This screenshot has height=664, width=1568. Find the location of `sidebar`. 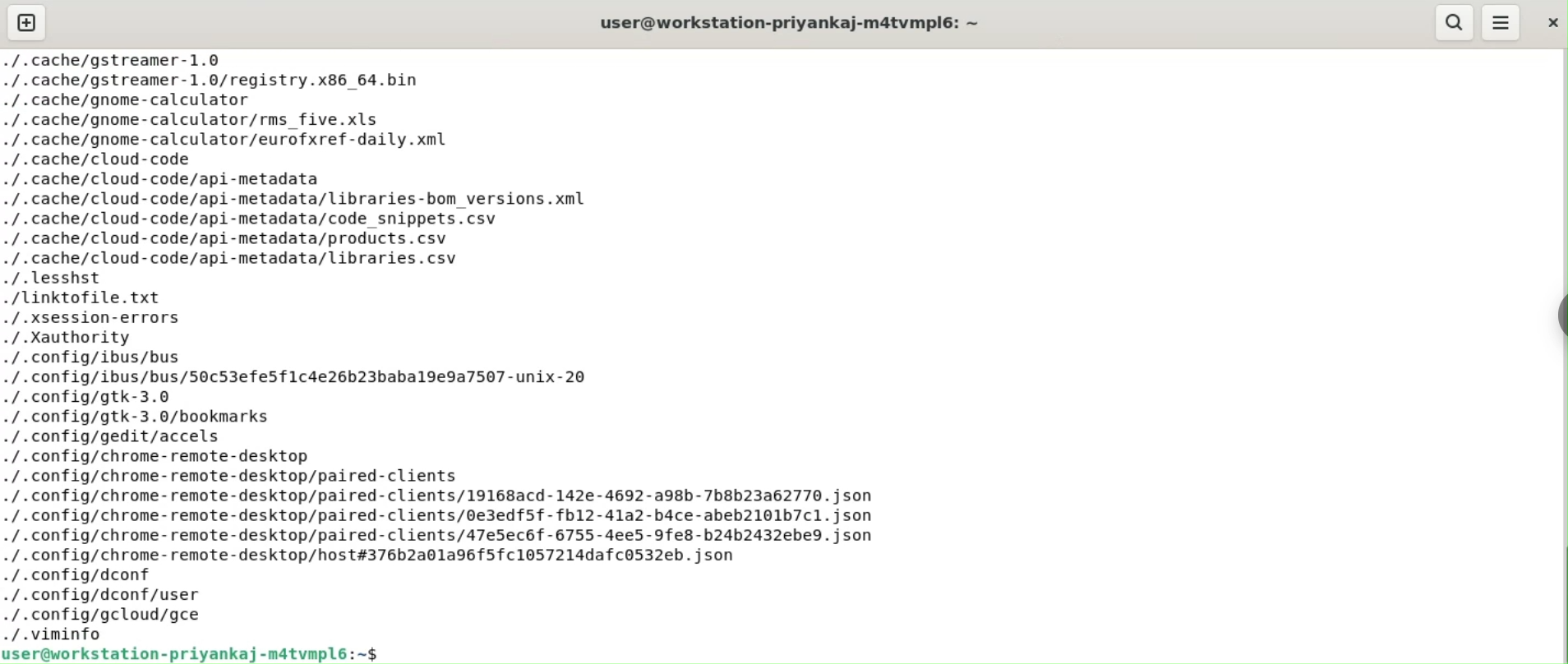

sidebar is located at coordinates (1561, 315).